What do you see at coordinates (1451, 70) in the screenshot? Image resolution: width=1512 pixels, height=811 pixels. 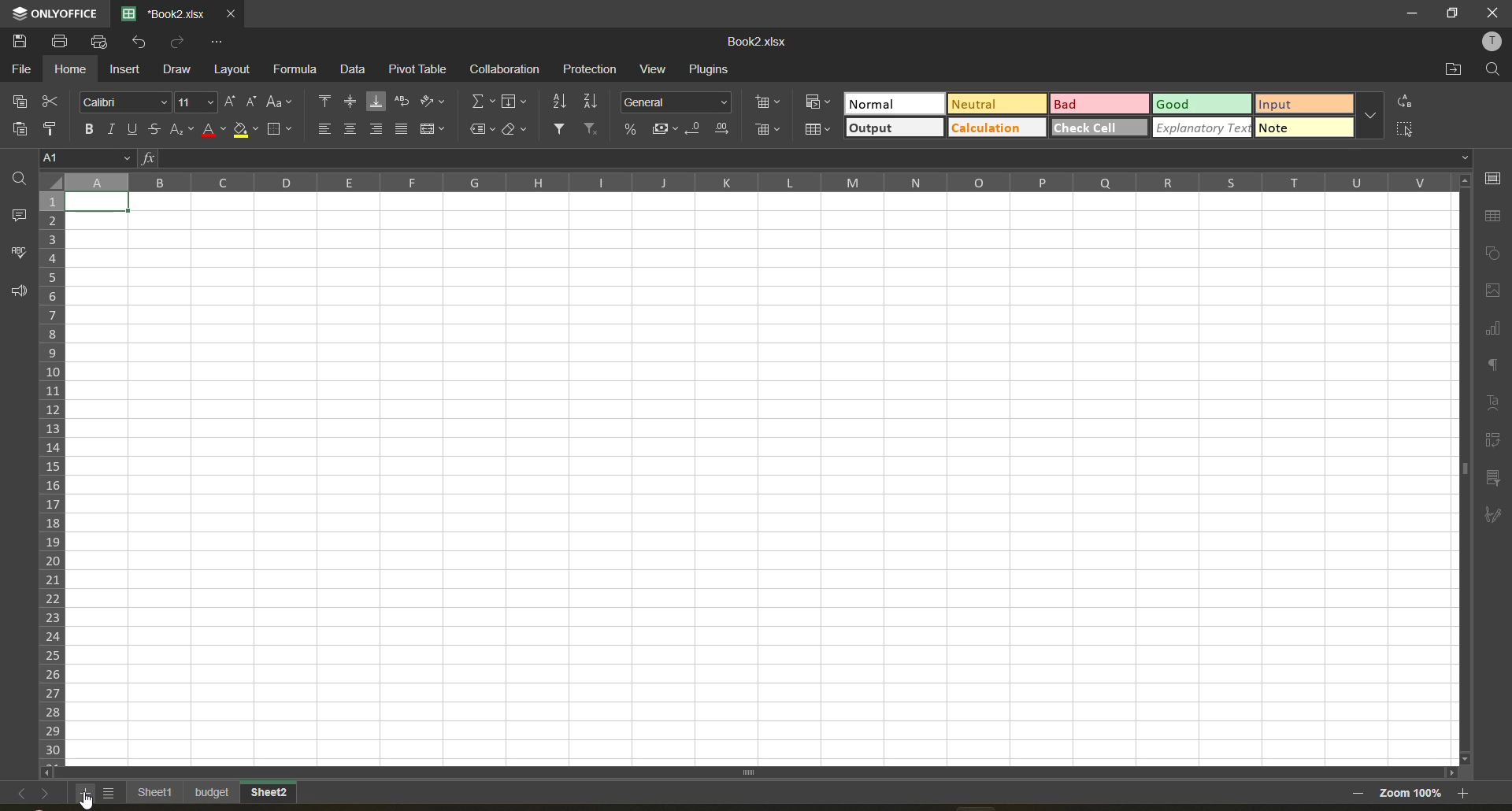 I see `open location` at bounding box center [1451, 70].